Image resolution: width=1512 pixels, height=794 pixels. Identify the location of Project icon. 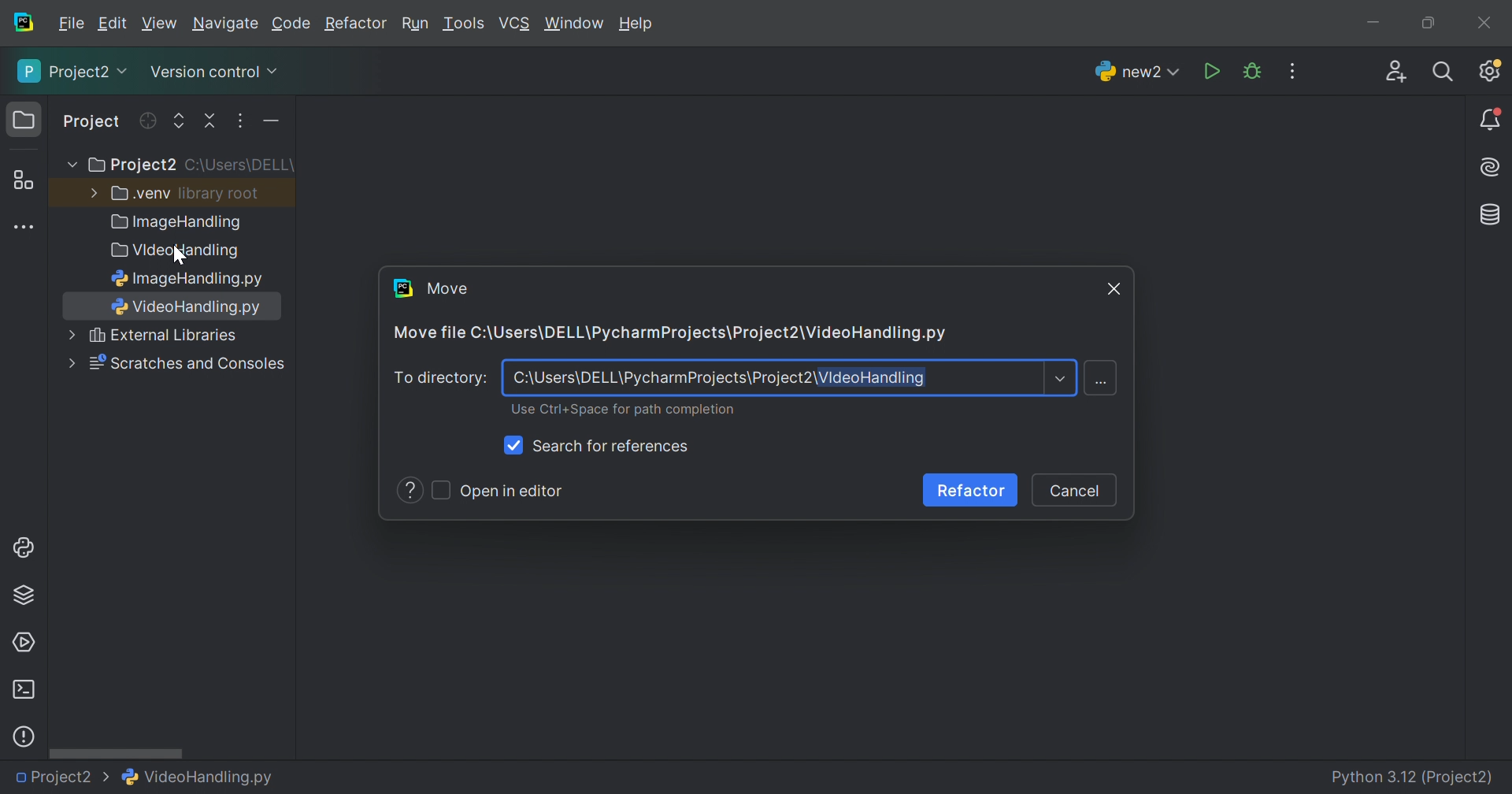
(26, 121).